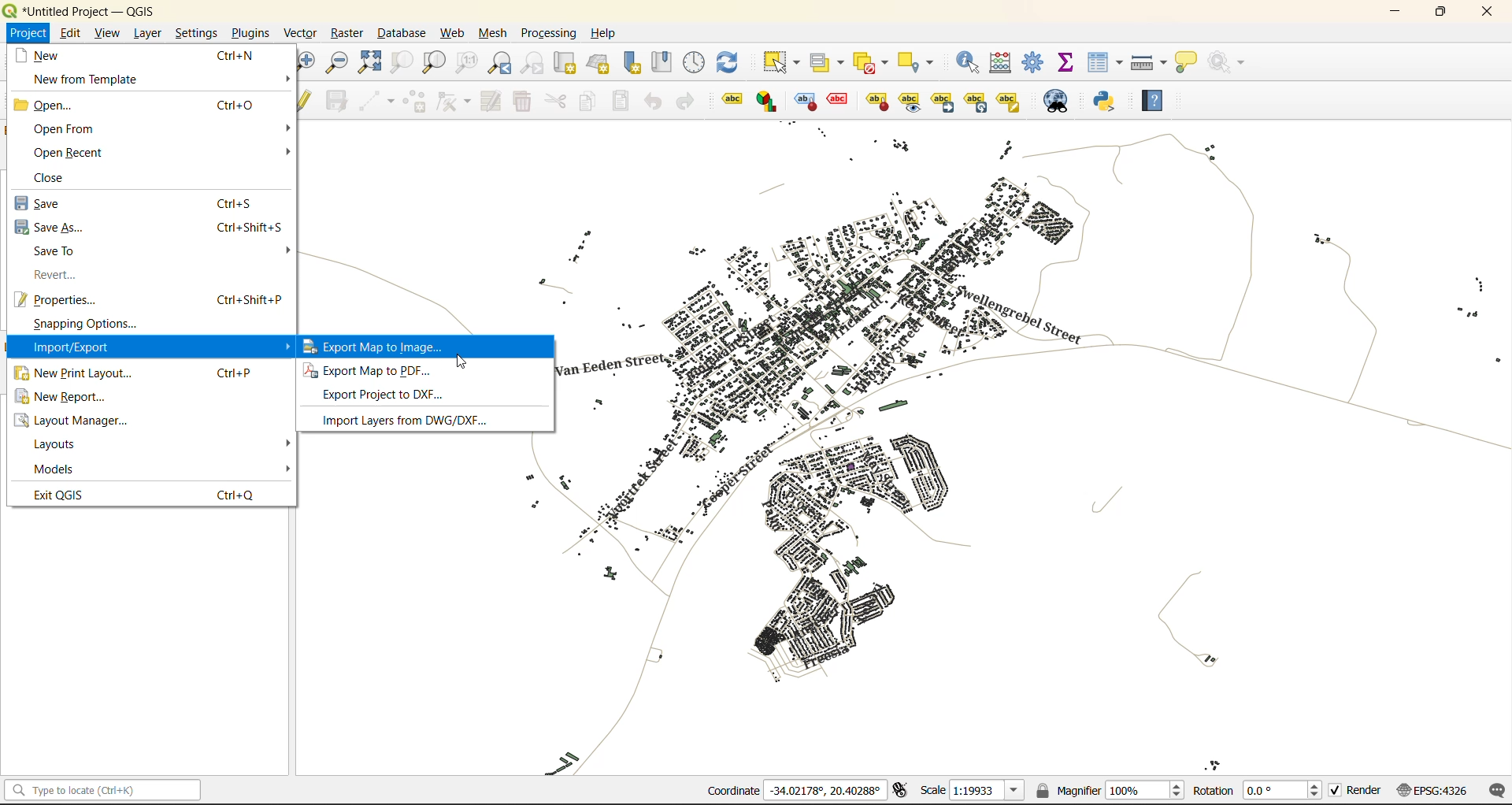  I want to click on vertex tools, so click(450, 102).